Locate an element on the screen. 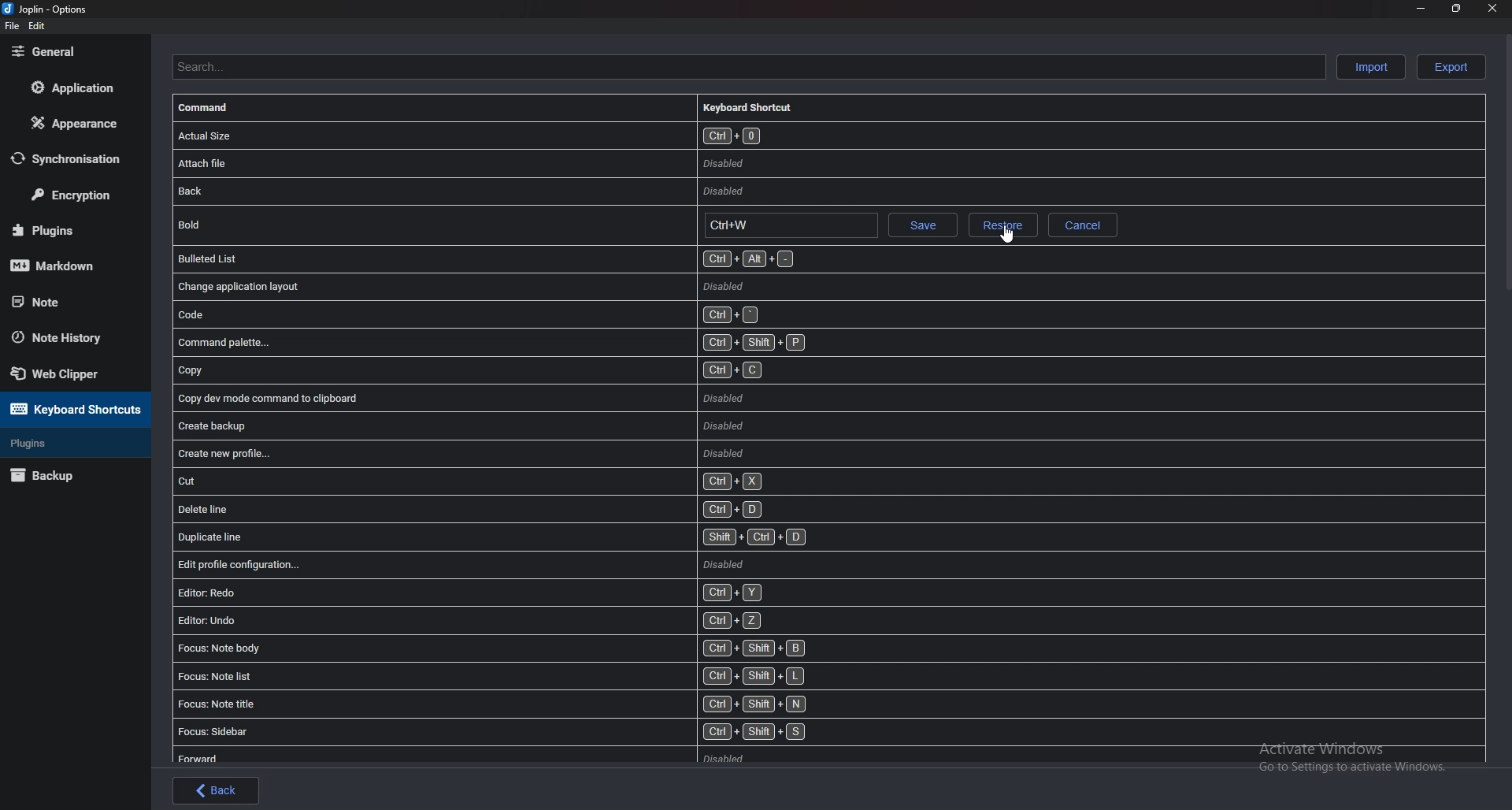 The height and width of the screenshot is (810, 1512). Backup is located at coordinates (65, 477).